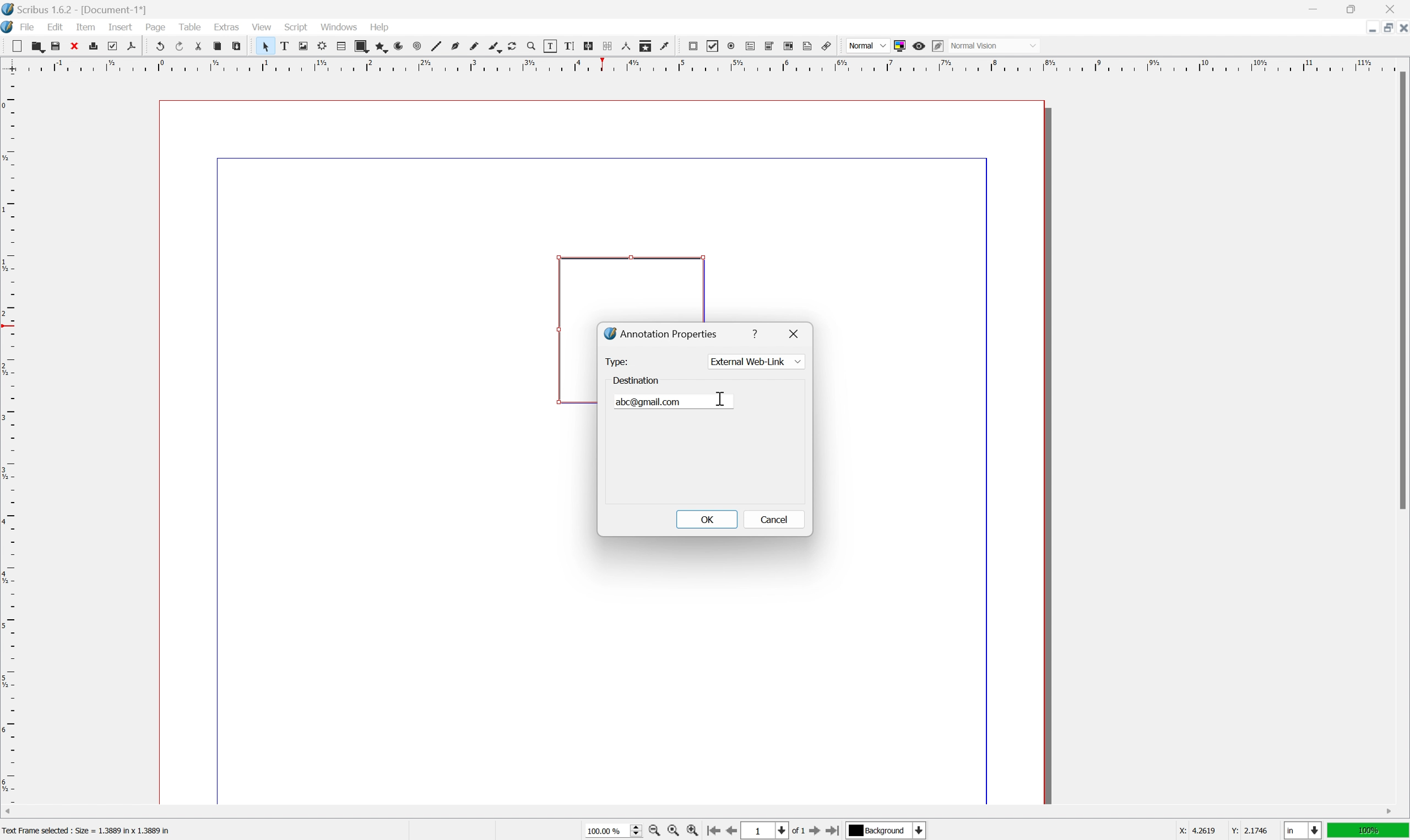 This screenshot has width=1410, height=840. Describe the element at coordinates (569, 46) in the screenshot. I see `edit text with story editor` at that location.